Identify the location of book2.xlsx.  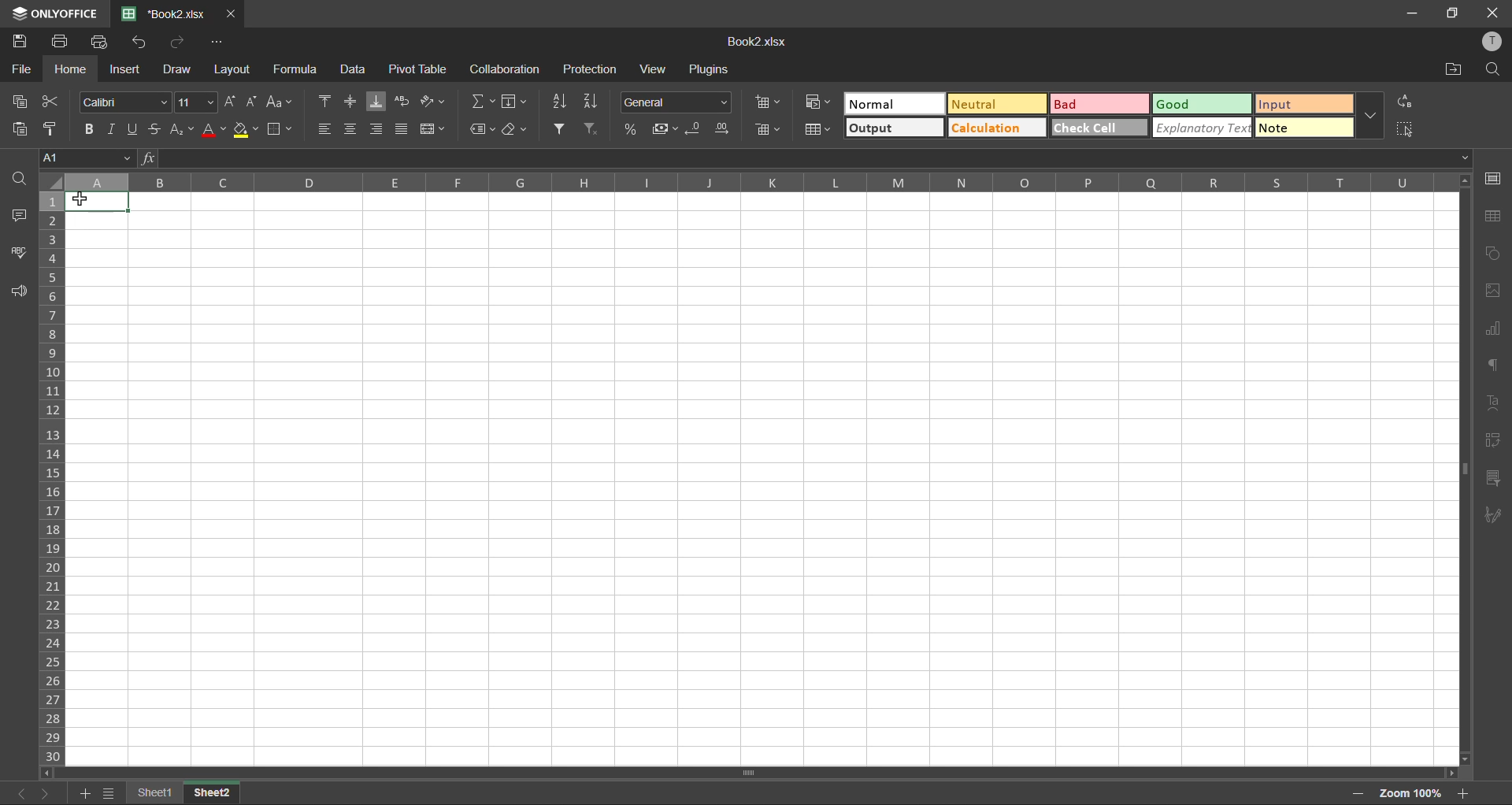
(755, 43).